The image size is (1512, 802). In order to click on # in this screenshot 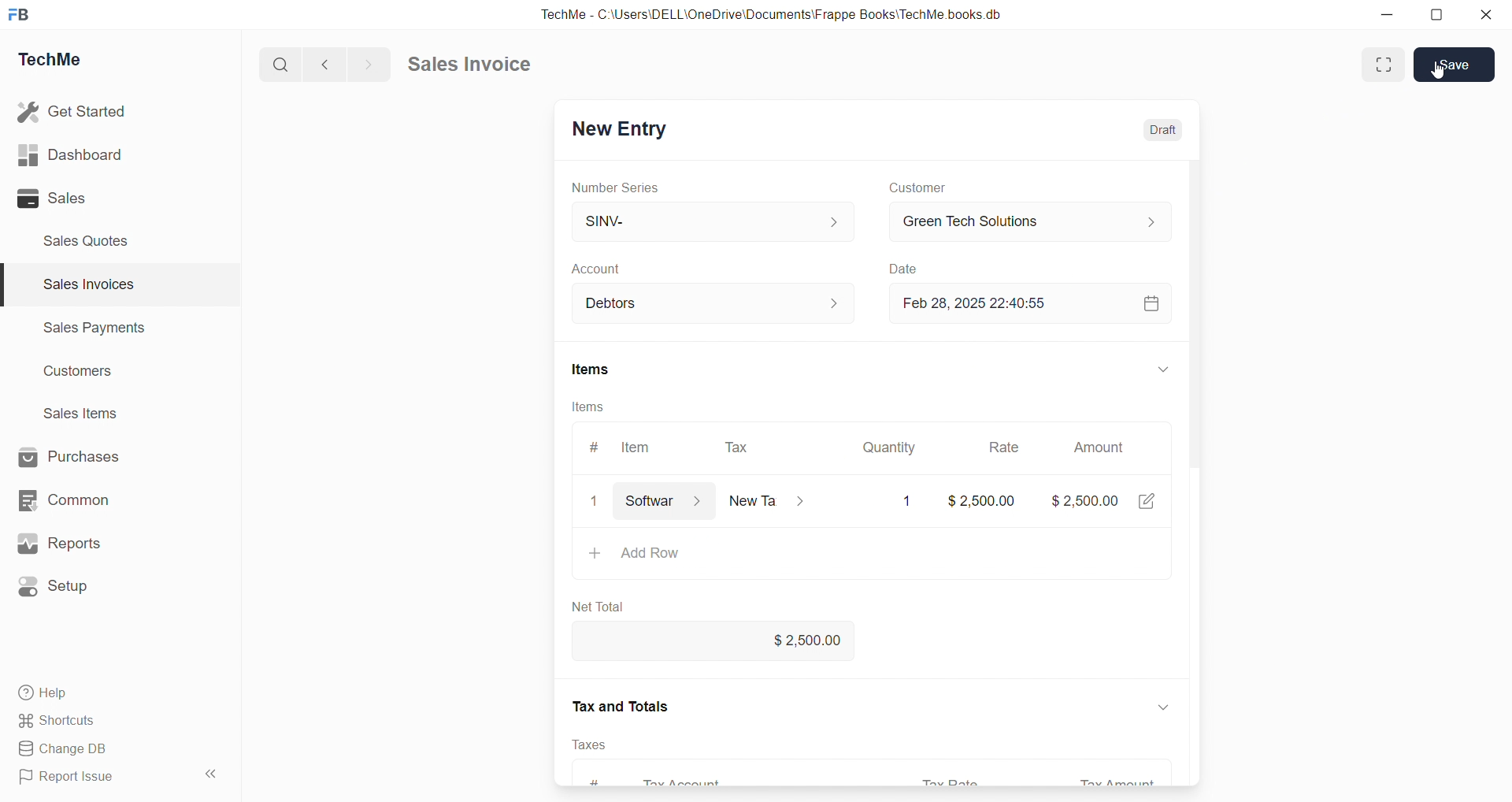, I will do `click(595, 447)`.